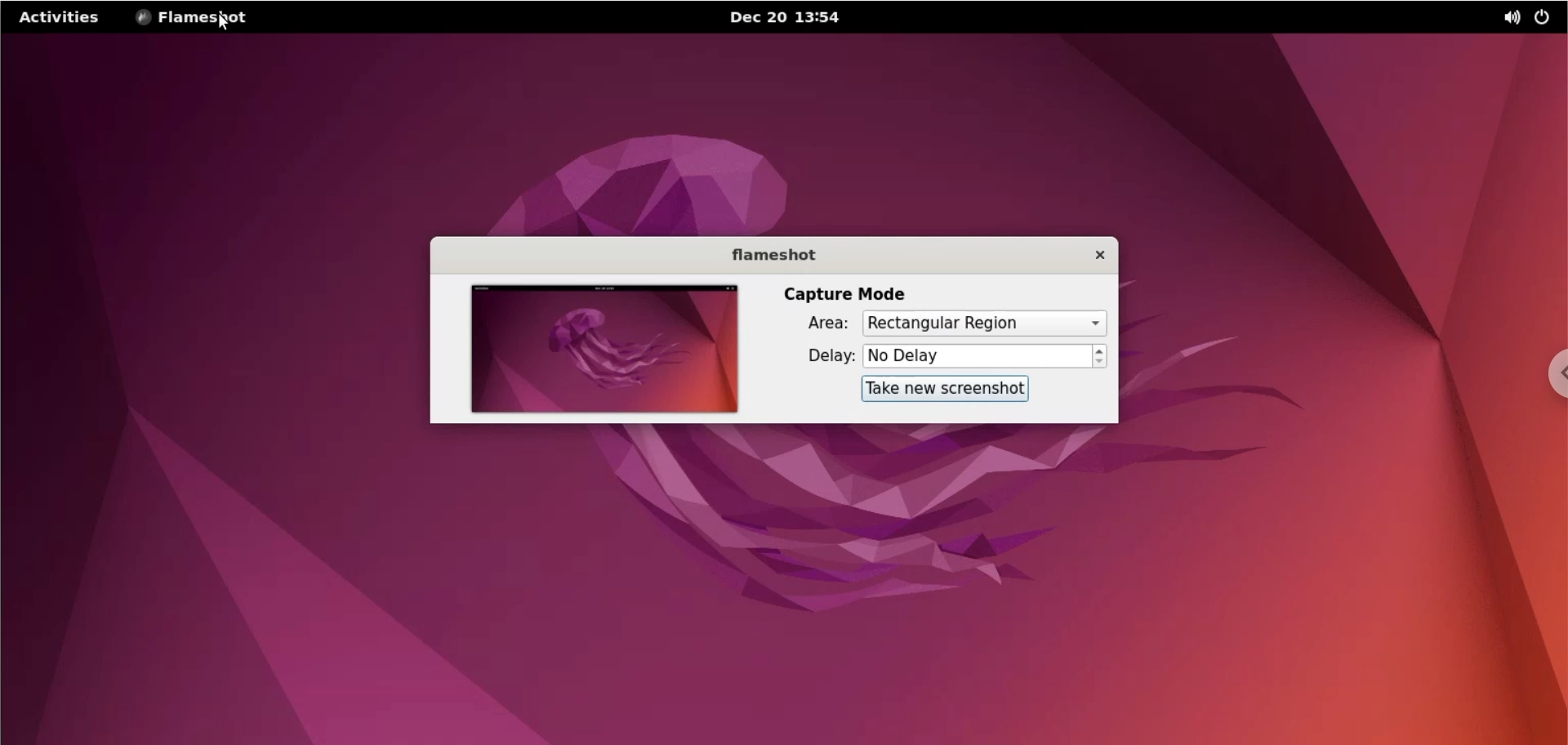 The height and width of the screenshot is (745, 1568). Describe the element at coordinates (1542, 18) in the screenshot. I see `power options` at that location.